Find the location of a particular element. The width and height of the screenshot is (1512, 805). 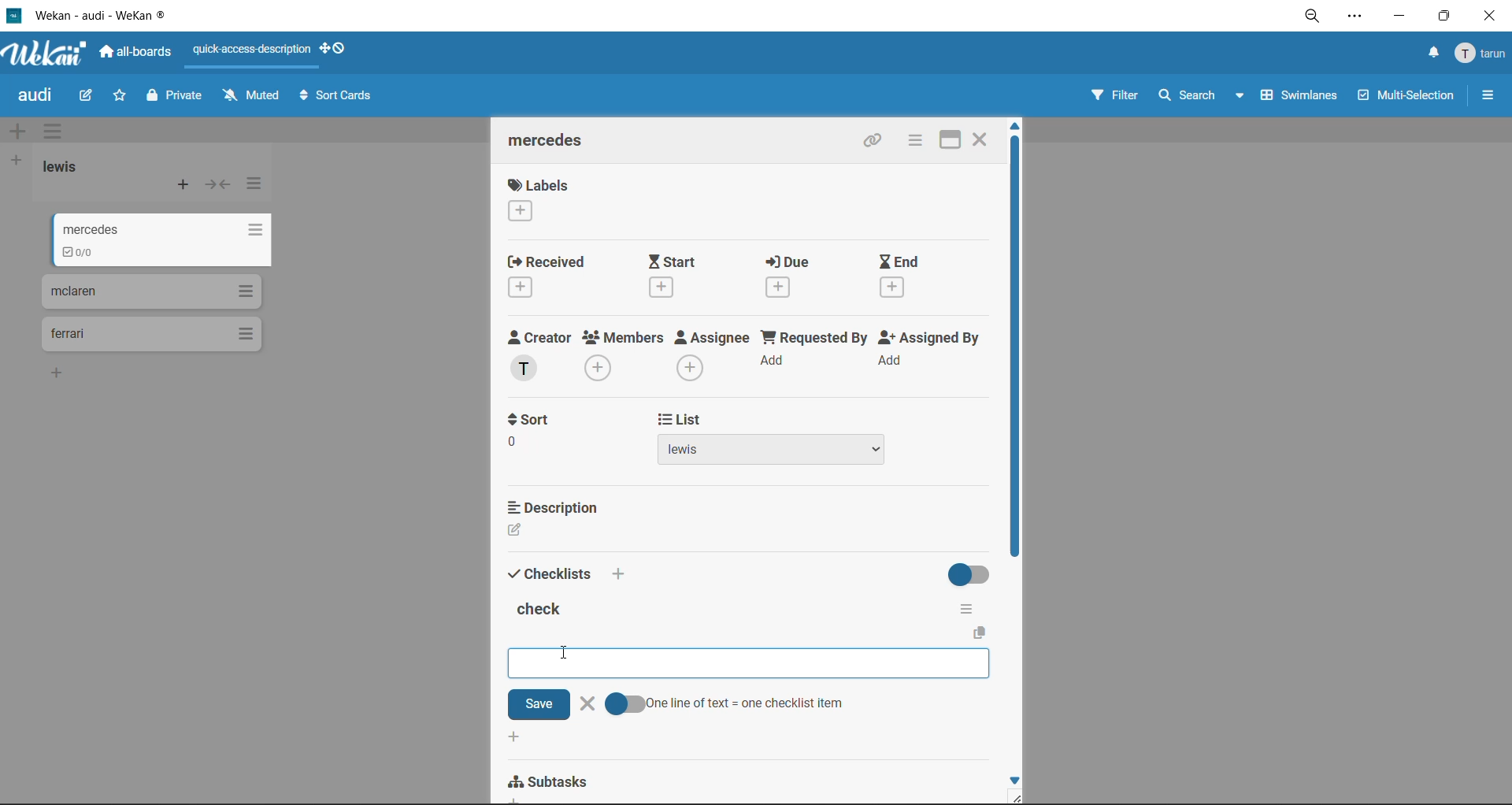

cards is located at coordinates (169, 243).